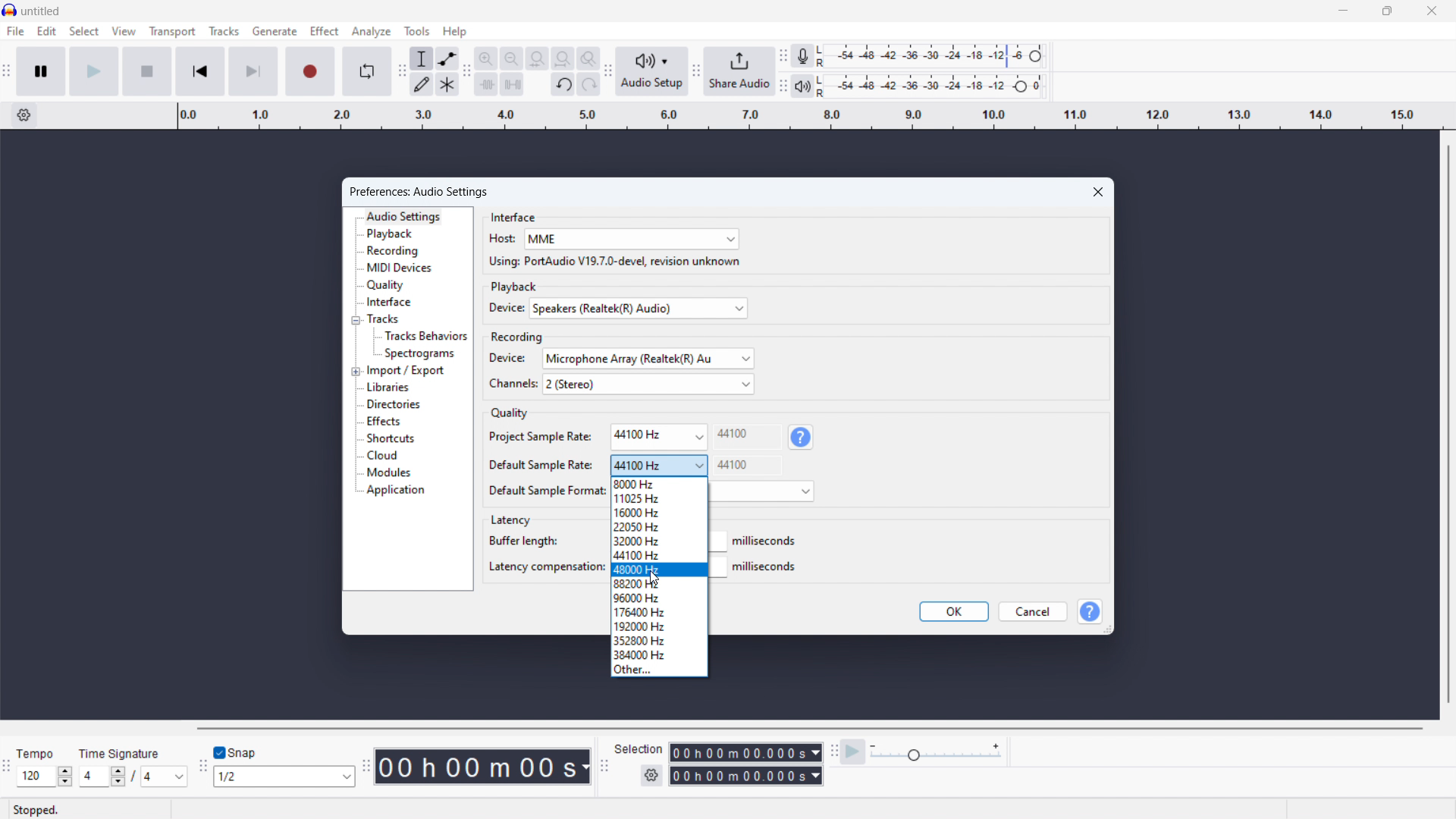  What do you see at coordinates (659, 670) in the screenshot?
I see `other...` at bounding box center [659, 670].